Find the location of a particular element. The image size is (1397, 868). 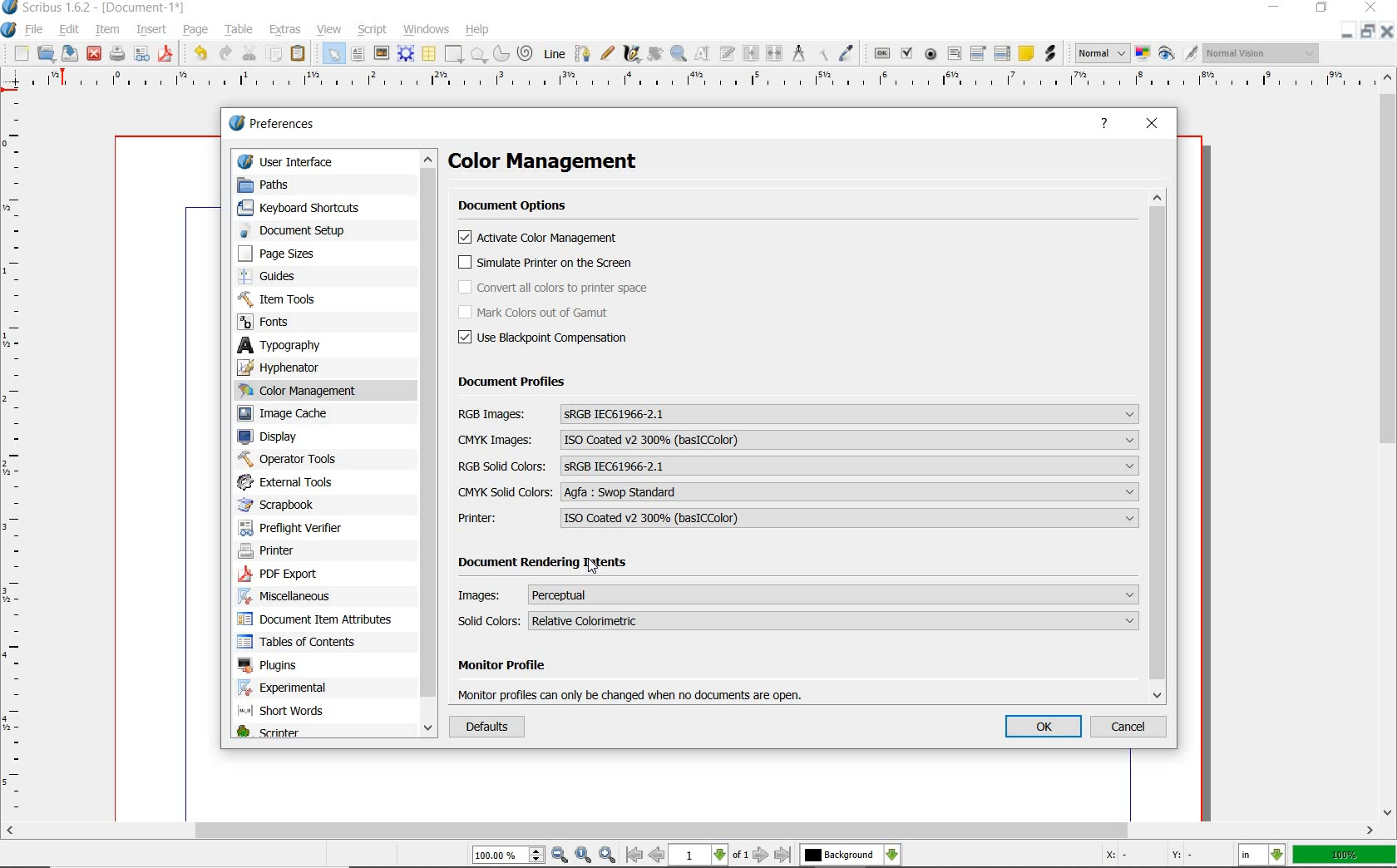

move to next or previous page is located at coordinates (708, 855).